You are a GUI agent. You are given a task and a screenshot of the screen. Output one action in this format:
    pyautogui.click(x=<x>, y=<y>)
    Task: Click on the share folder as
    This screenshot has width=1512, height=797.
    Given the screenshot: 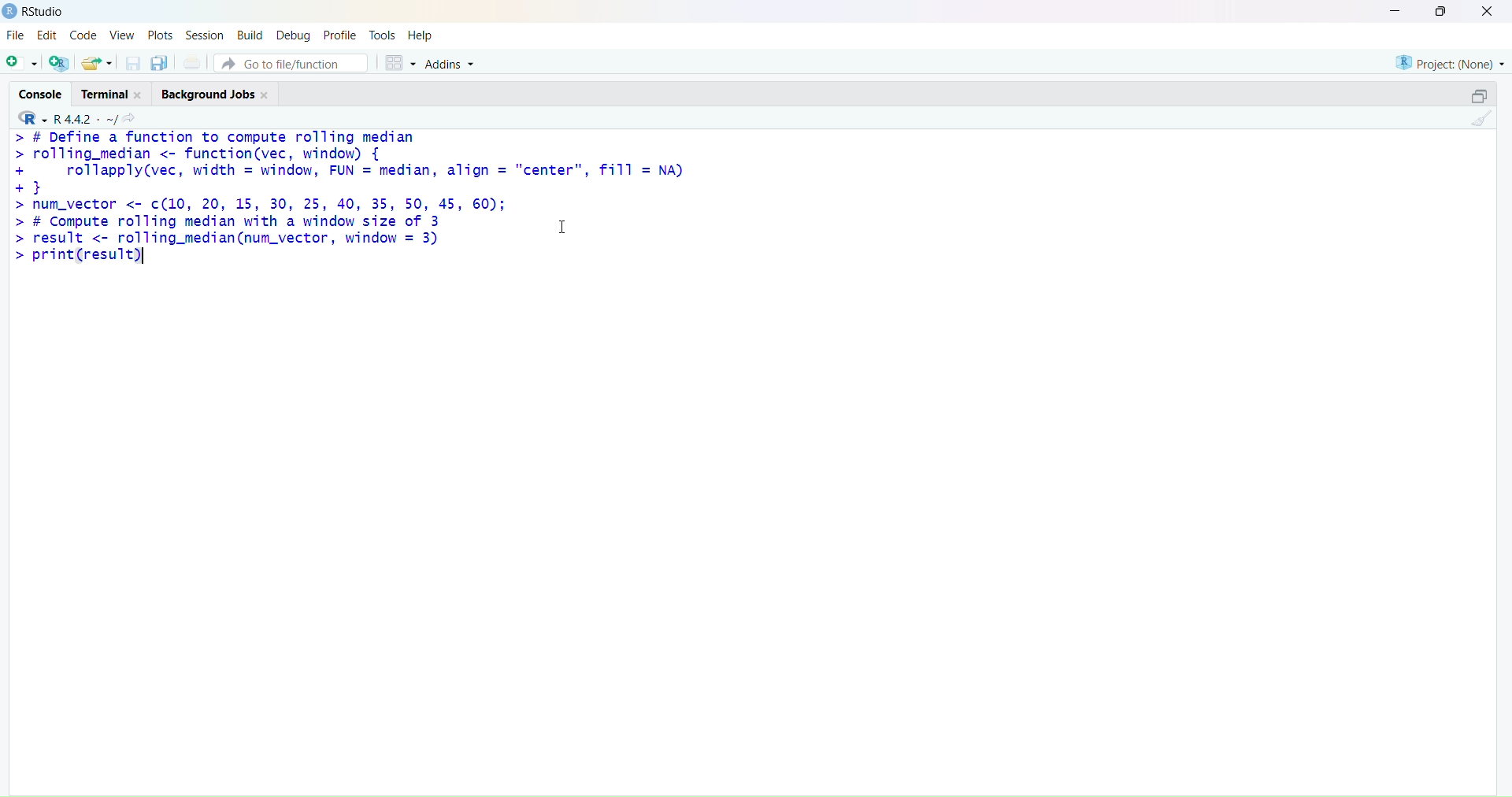 What is the action you would take?
    pyautogui.click(x=97, y=63)
    